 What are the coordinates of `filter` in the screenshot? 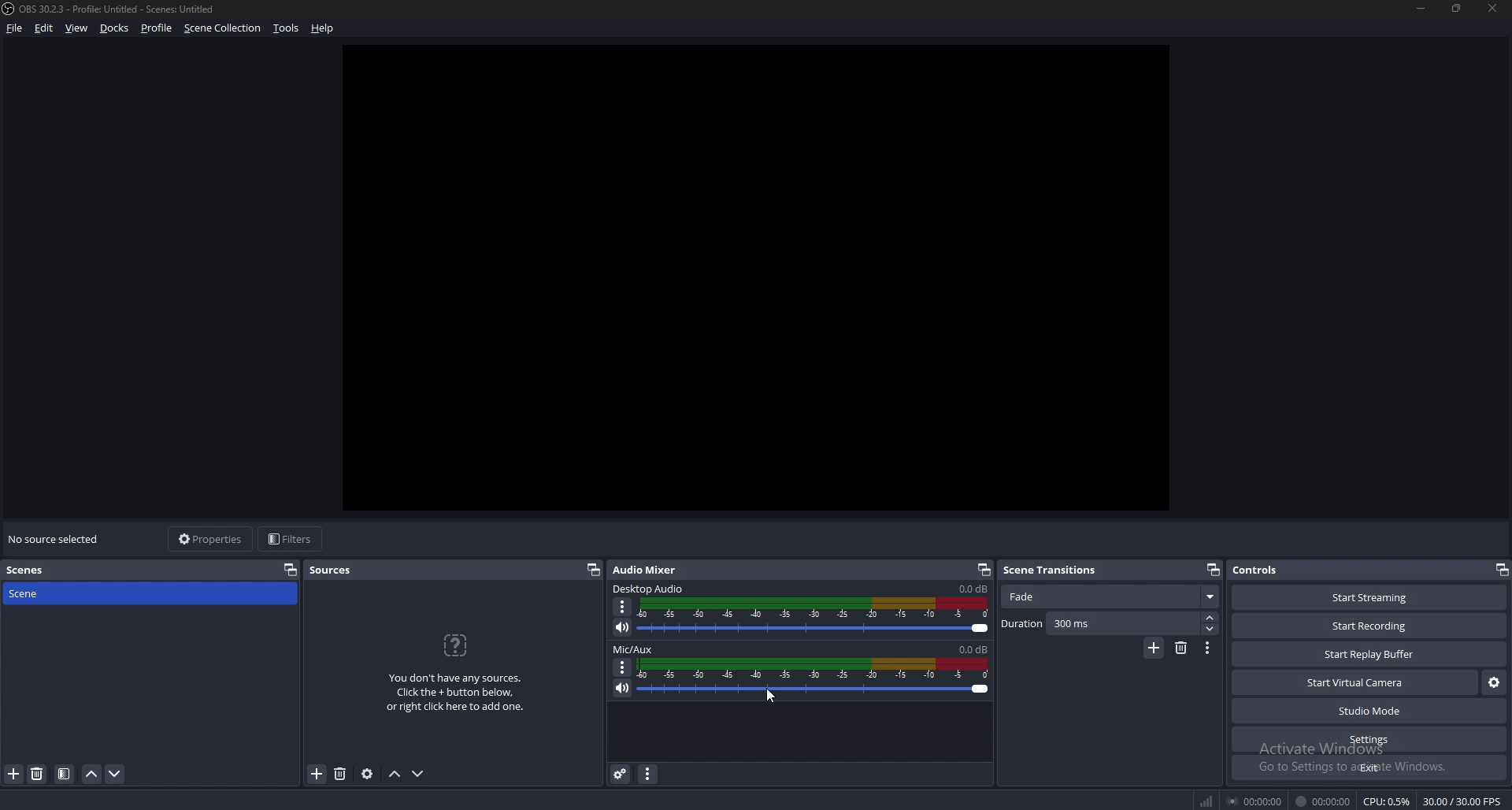 It's located at (64, 775).